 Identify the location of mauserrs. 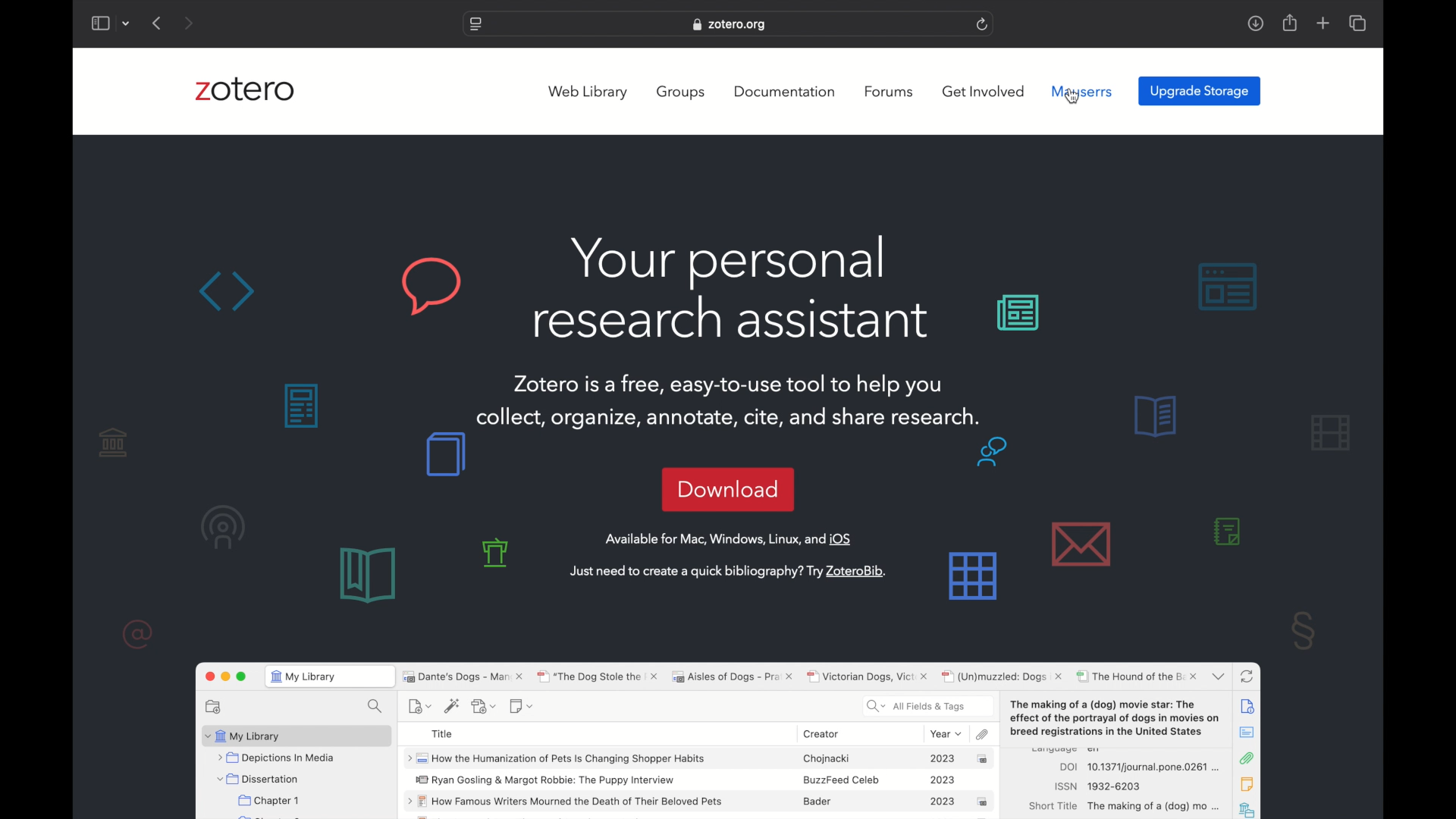
(1082, 91).